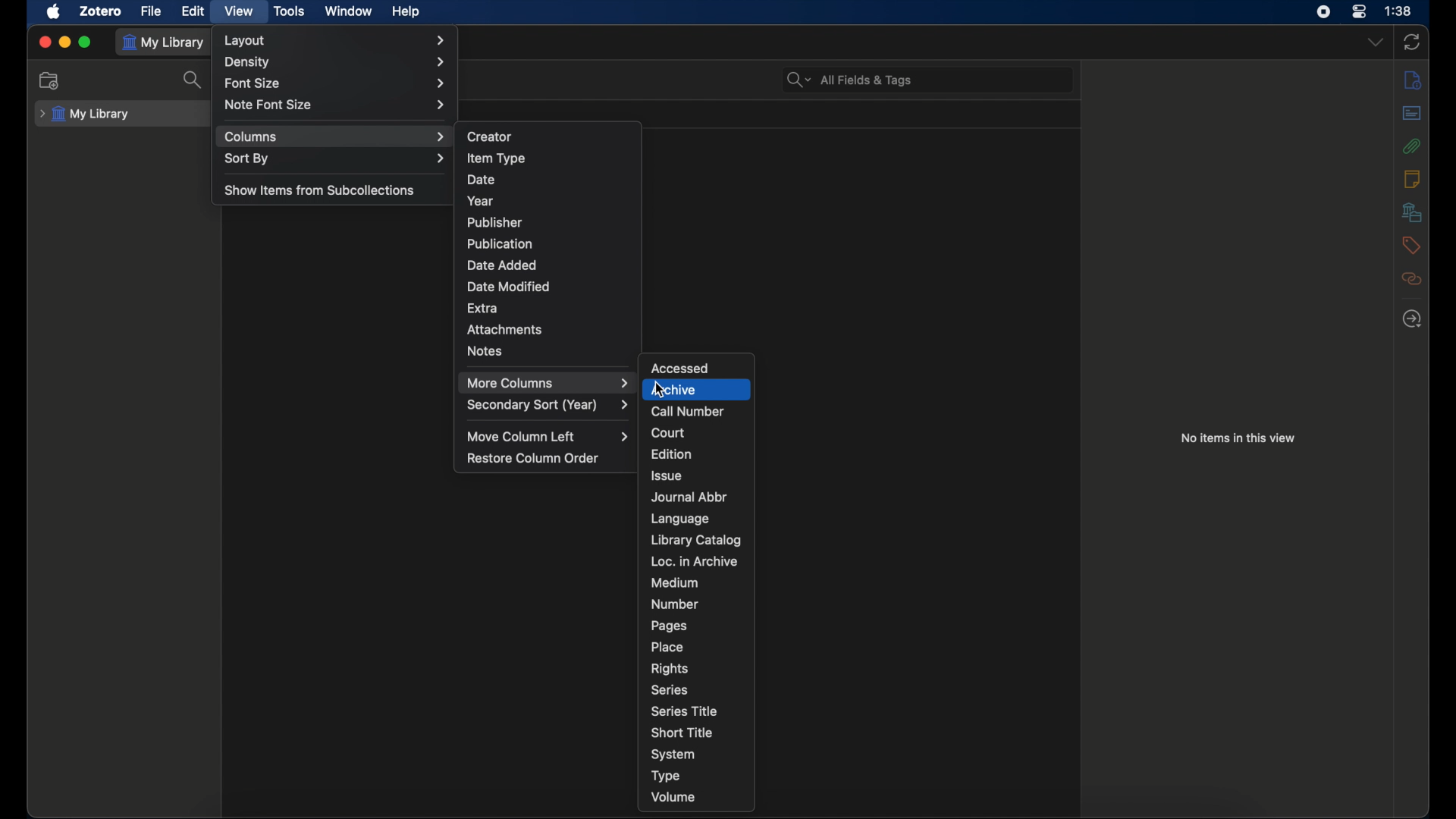 Image resolution: width=1456 pixels, height=819 pixels. What do you see at coordinates (482, 180) in the screenshot?
I see `date` at bounding box center [482, 180].